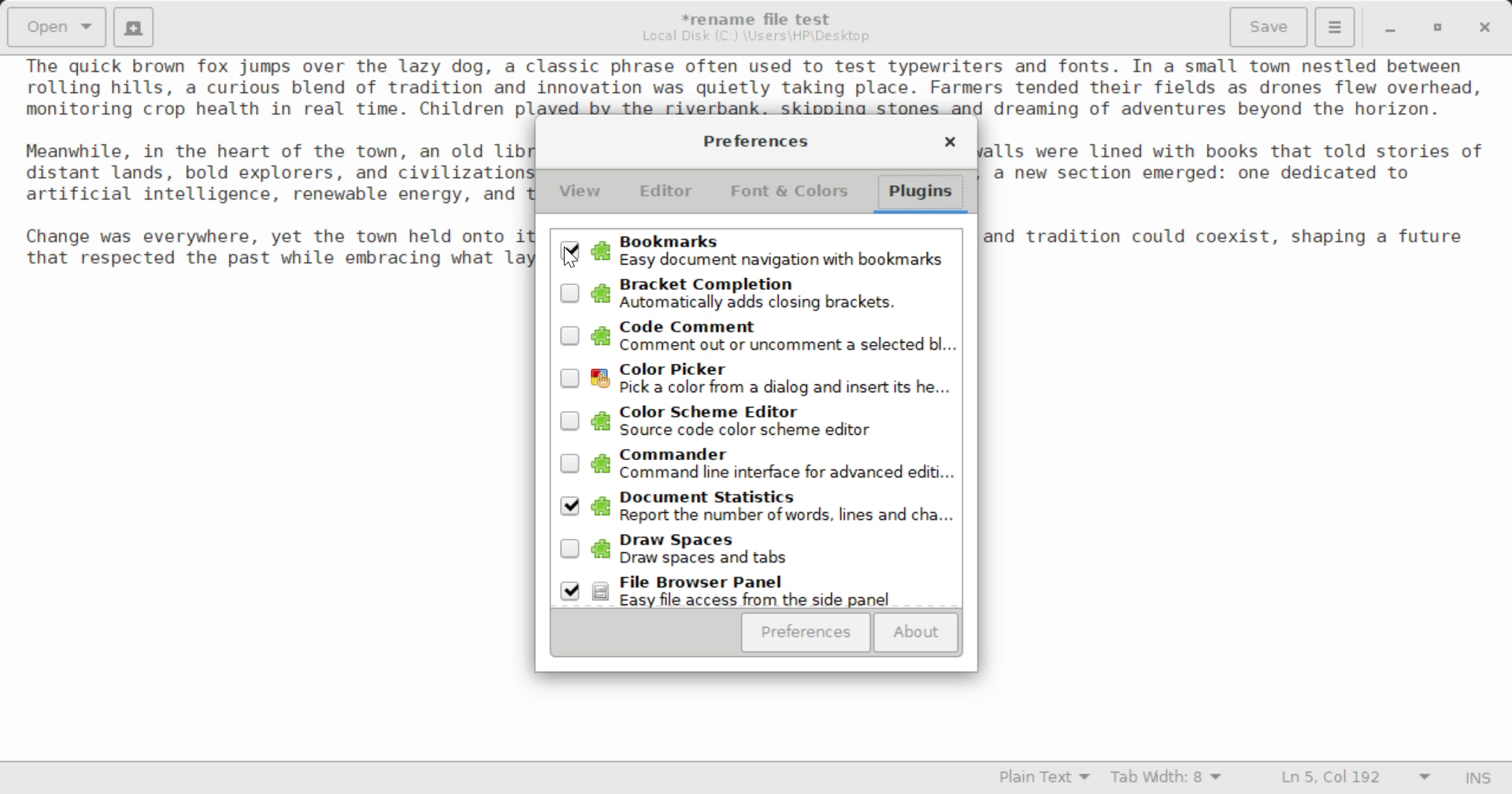 The height and width of the screenshot is (794, 1512). What do you see at coordinates (756, 422) in the screenshot?
I see `Unselected Color Scheme Editor Plugin` at bounding box center [756, 422].